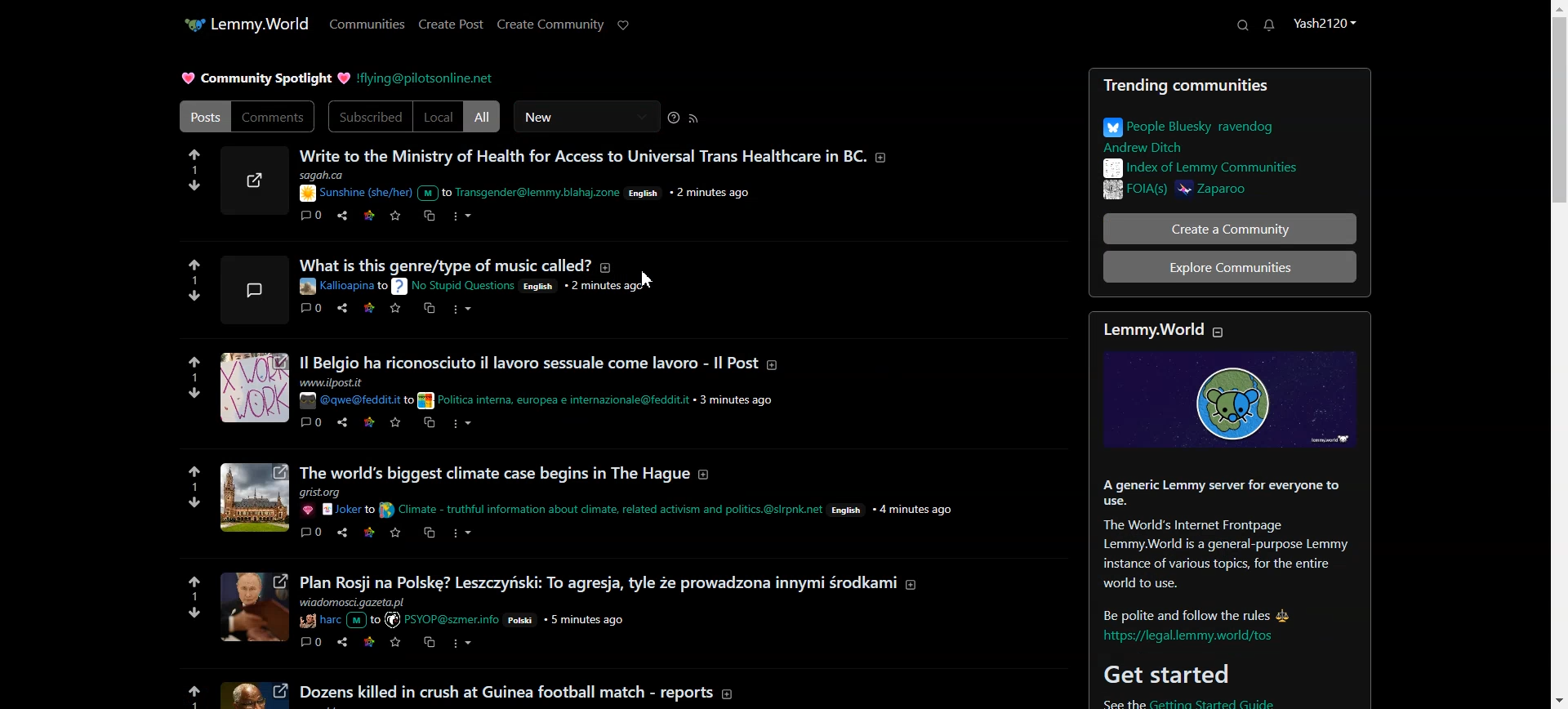  Describe the element at coordinates (344, 286) in the screenshot. I see `monsieurphi to [I monsieur_phi@indymotion.fr` at that location.